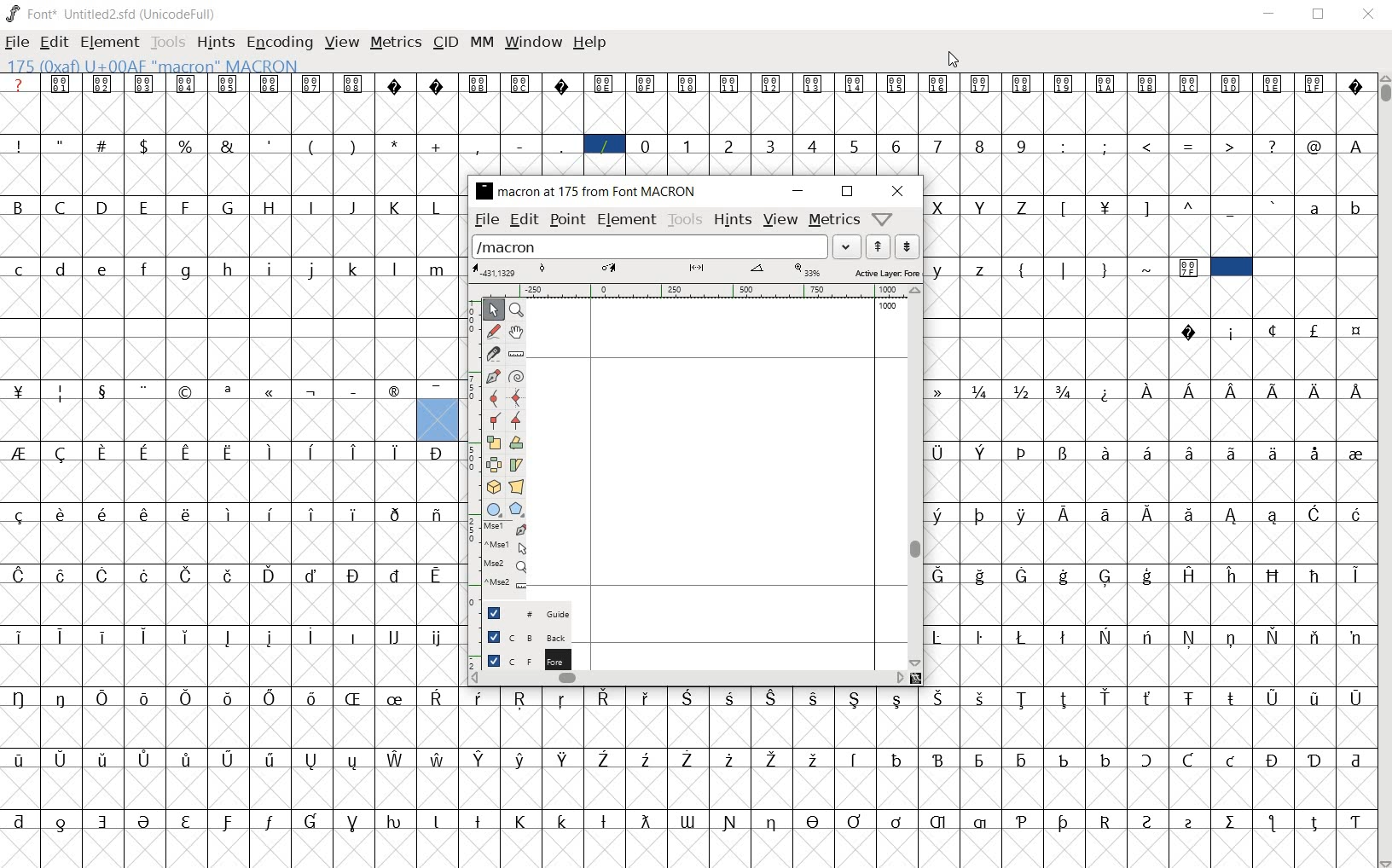  I want to click on Symbol, so click(1357, 330).